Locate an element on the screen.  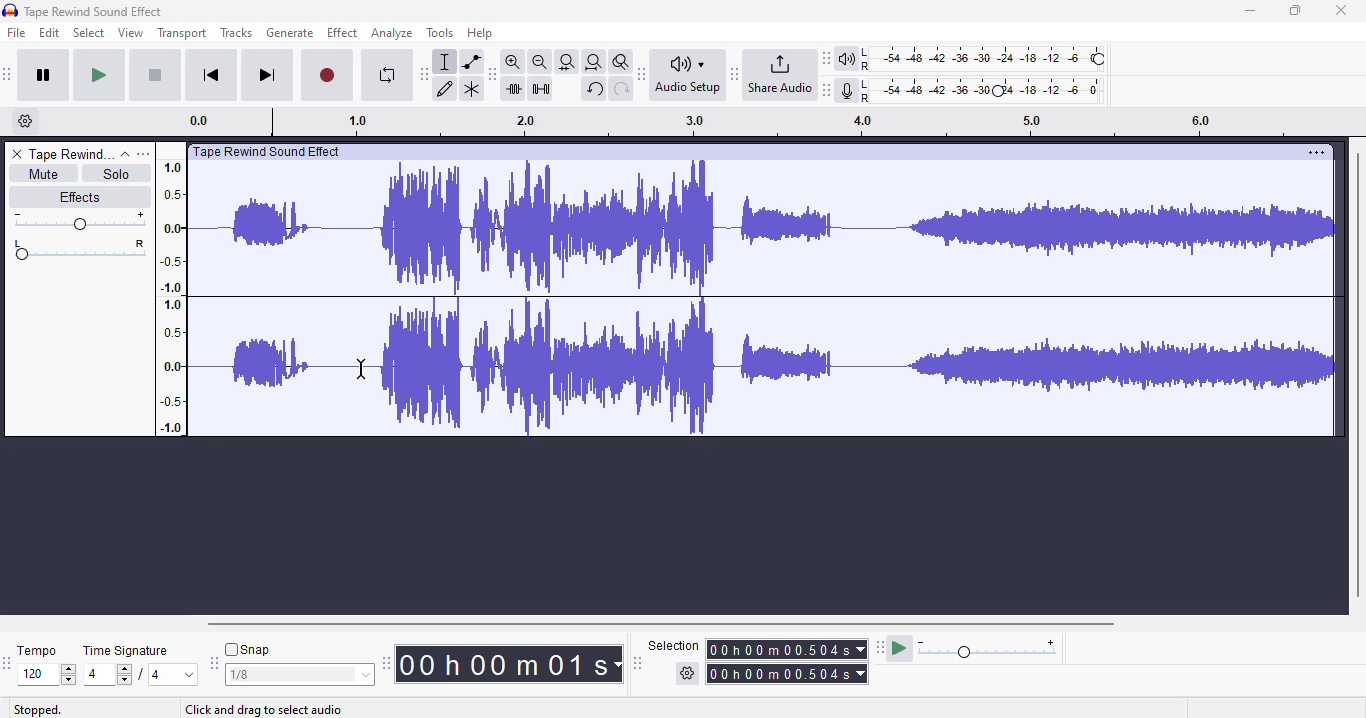
timeline is located at coordinates (710, 122).